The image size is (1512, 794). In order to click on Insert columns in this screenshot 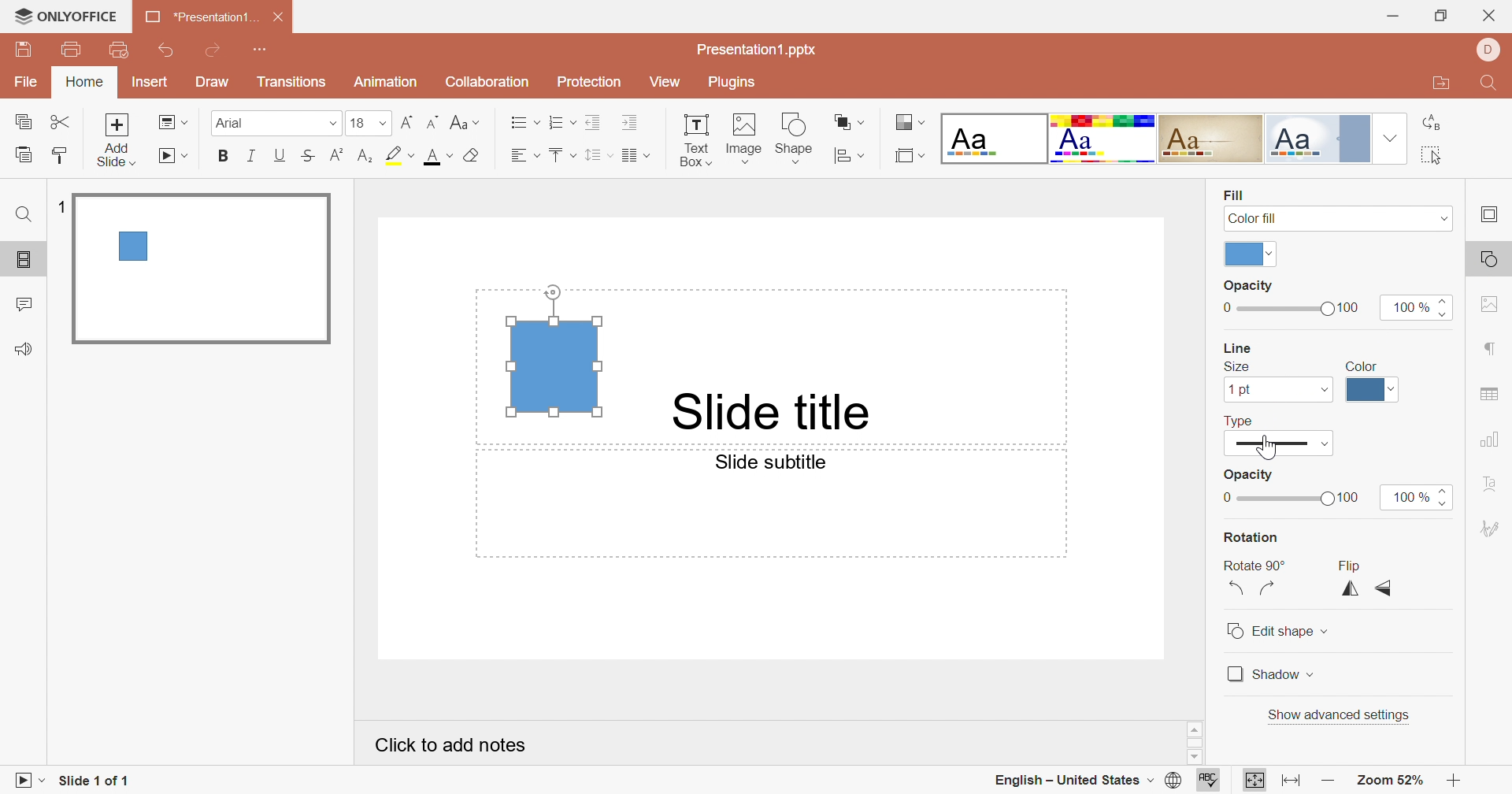, I will do `click(636, 156)`.